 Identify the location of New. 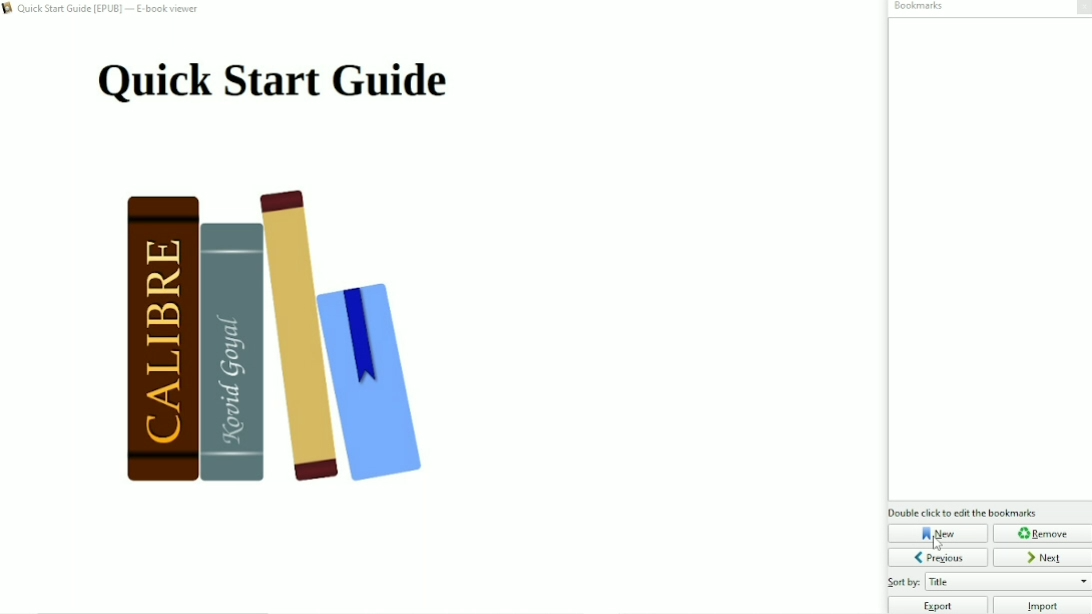
(938, 533).